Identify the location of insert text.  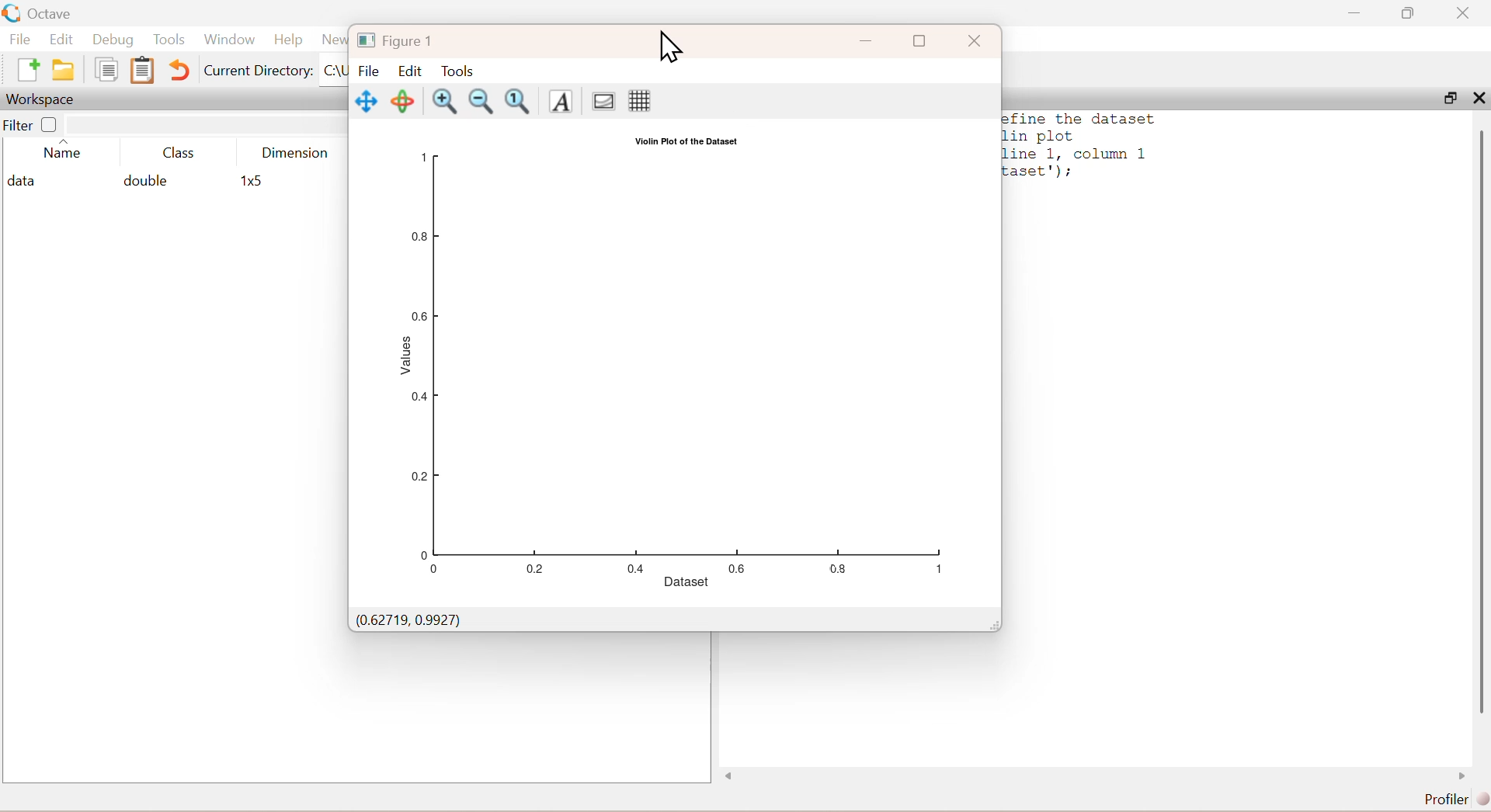
(562, 101).